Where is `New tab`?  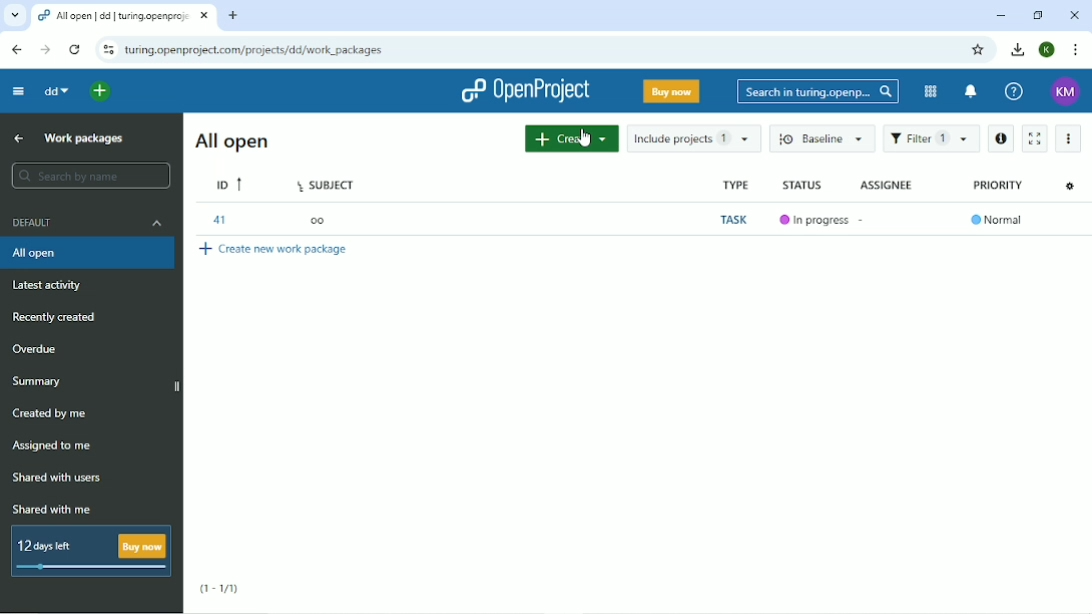
New tab is located at coordinates (233, 16).